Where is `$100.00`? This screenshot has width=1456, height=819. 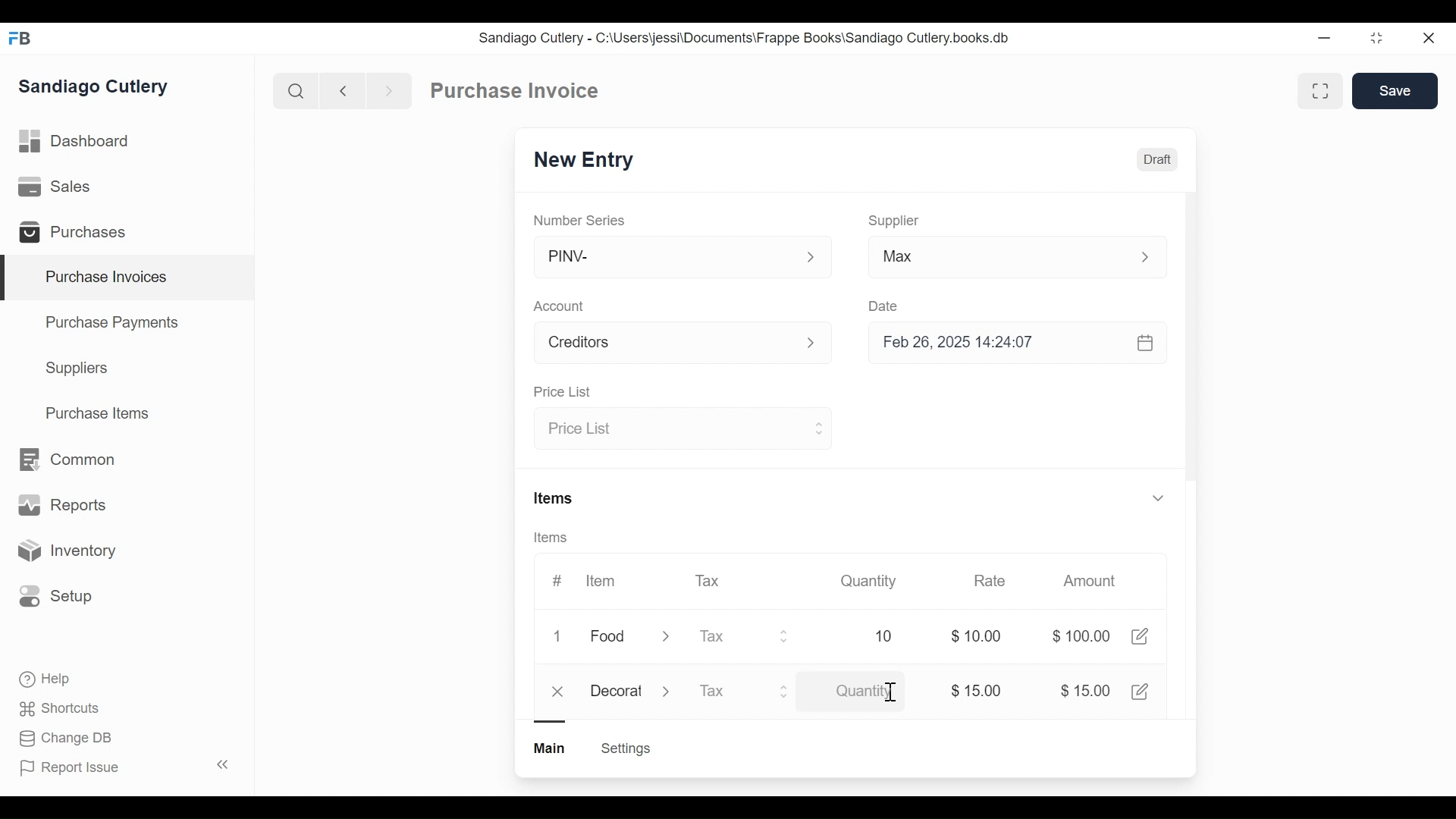
$100.00 is located at coordinates (1081, 636).